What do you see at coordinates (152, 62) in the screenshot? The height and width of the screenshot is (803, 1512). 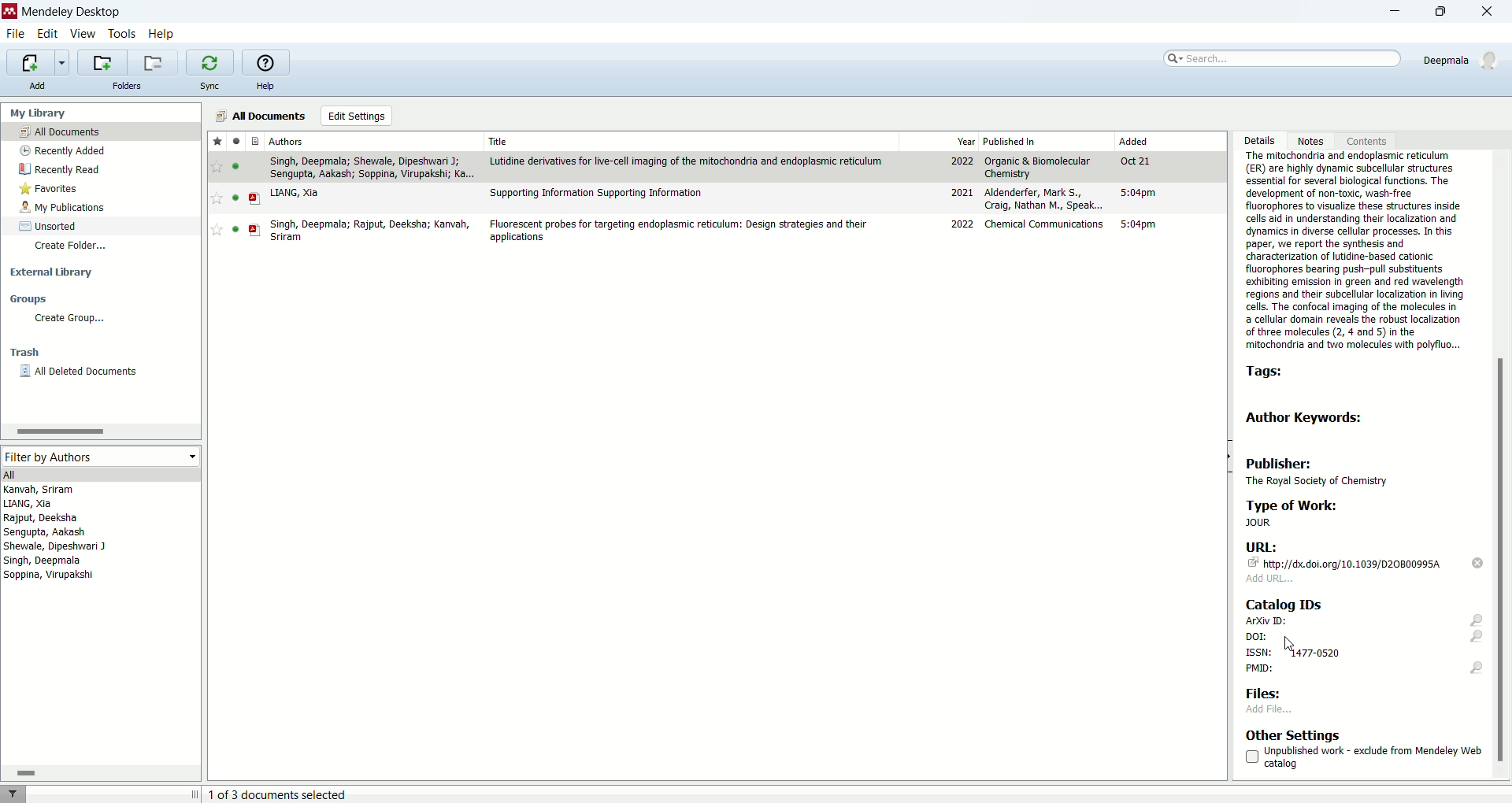 I see `remove current folder` at bounding box center [152, 62].